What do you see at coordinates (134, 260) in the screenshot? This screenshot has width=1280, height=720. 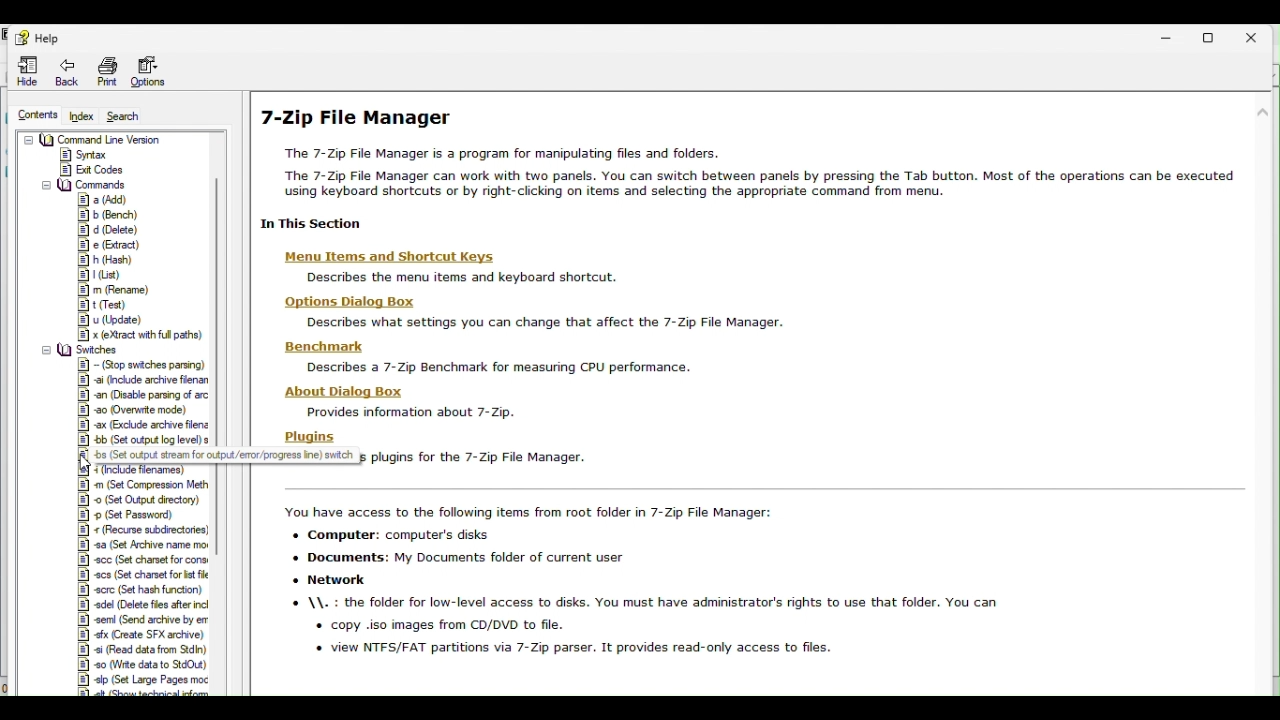 I see `Commands` at bounding box center [134, 260].